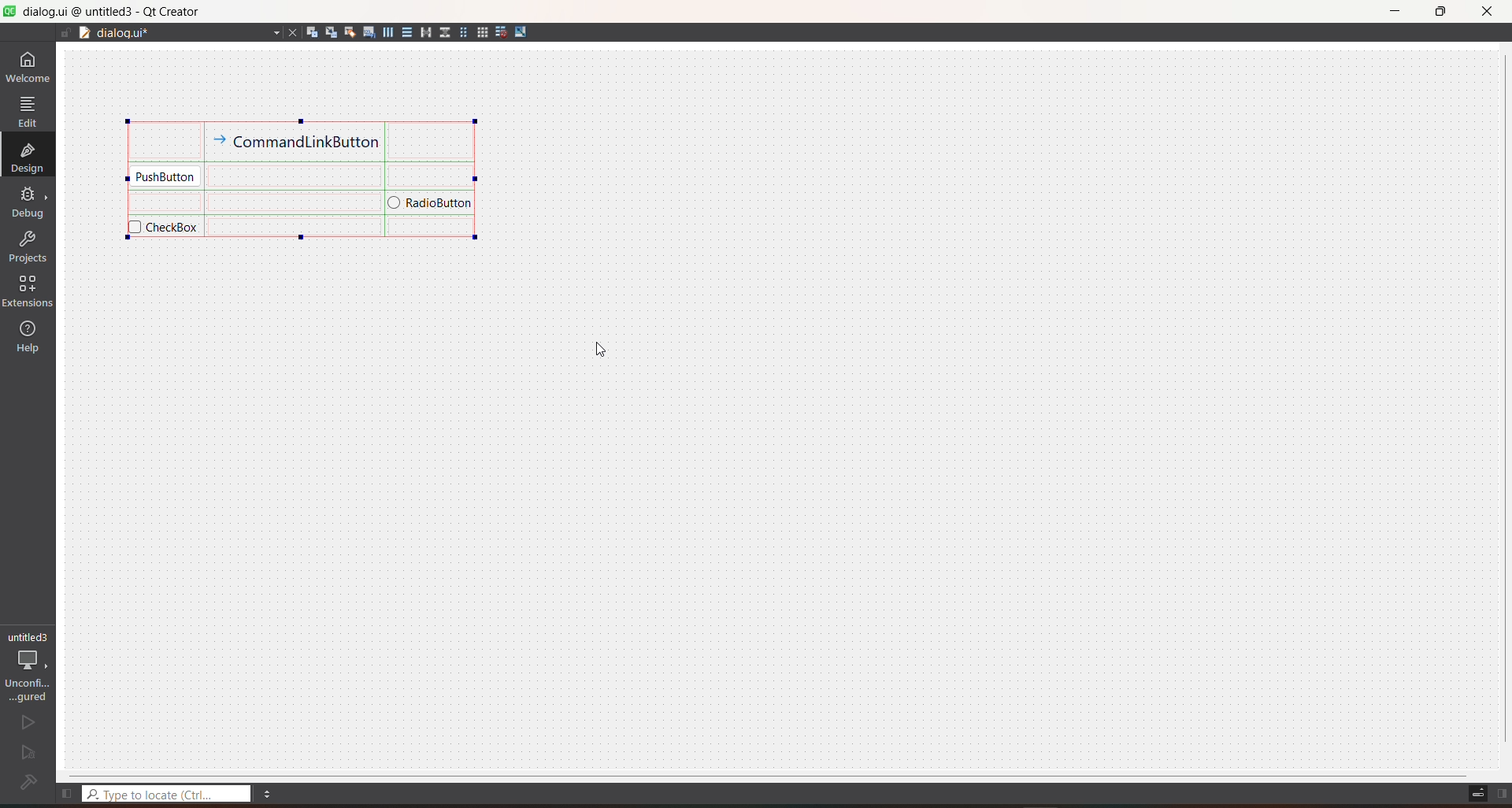  I want to click on break layout, so click(502, 32).